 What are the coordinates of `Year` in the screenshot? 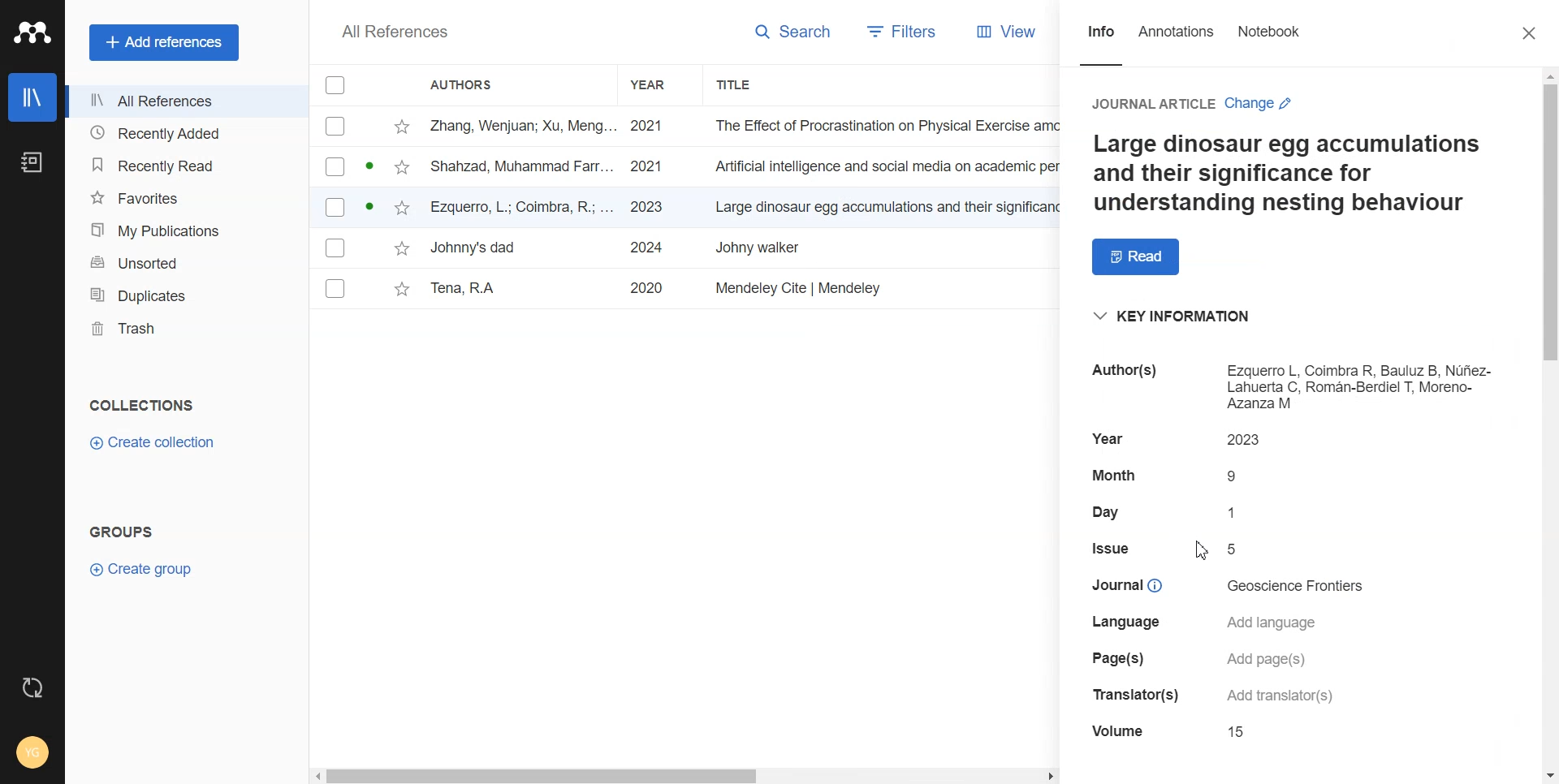 It's located at (658, 84).